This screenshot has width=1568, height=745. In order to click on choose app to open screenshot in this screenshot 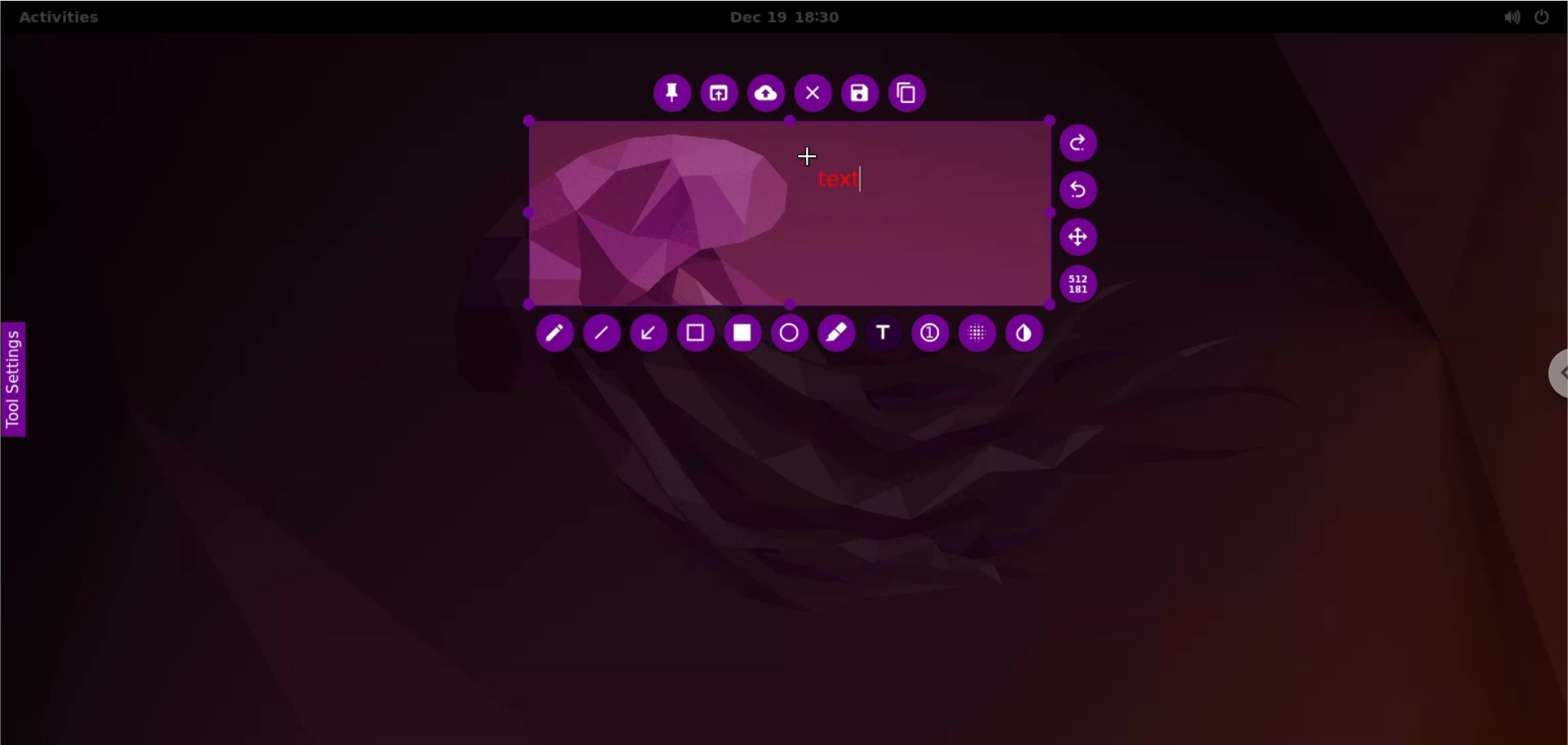, I will do `click(719, 95)`.